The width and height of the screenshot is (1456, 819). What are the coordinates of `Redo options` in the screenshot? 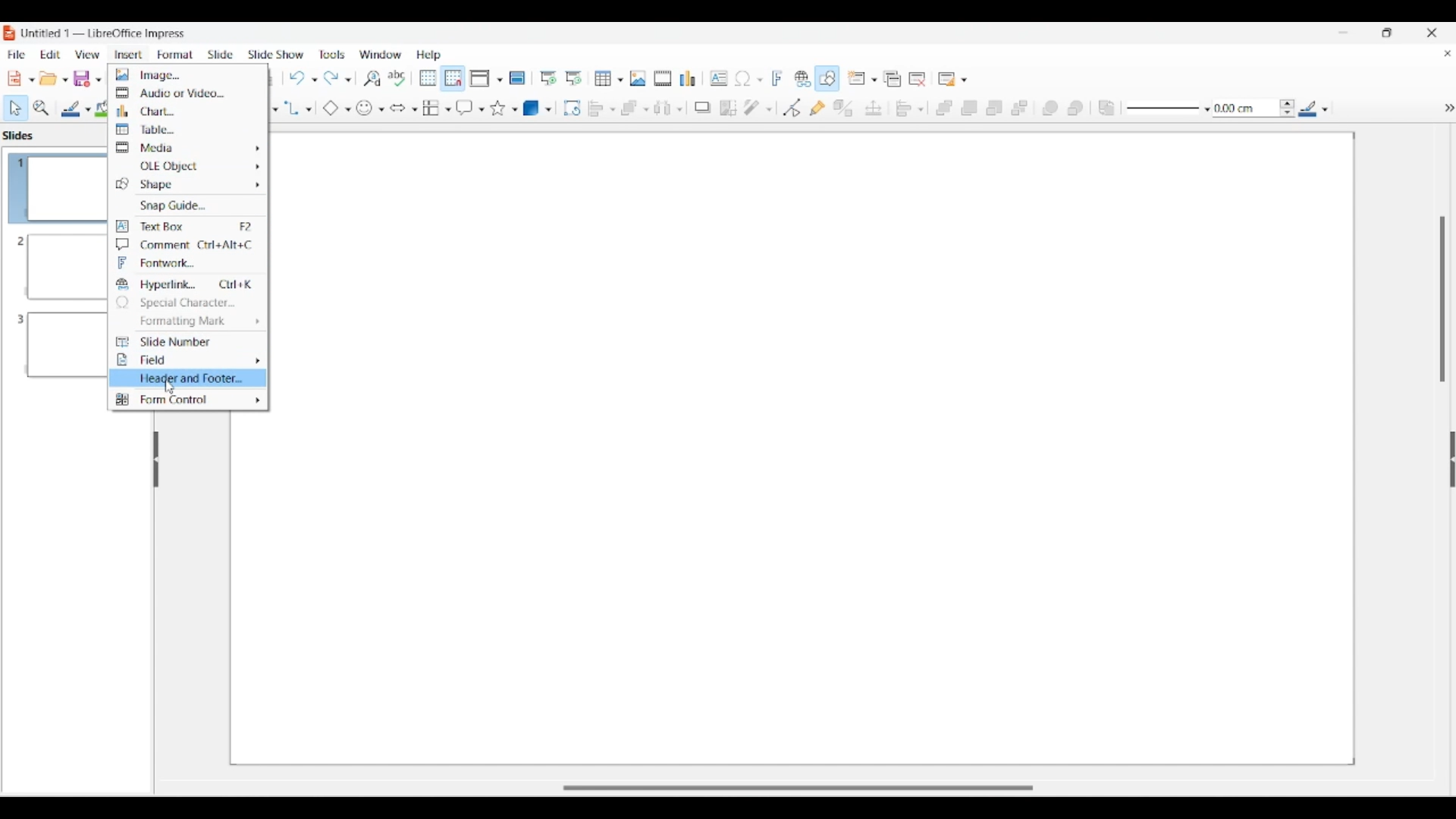 It's located at (337, 77).